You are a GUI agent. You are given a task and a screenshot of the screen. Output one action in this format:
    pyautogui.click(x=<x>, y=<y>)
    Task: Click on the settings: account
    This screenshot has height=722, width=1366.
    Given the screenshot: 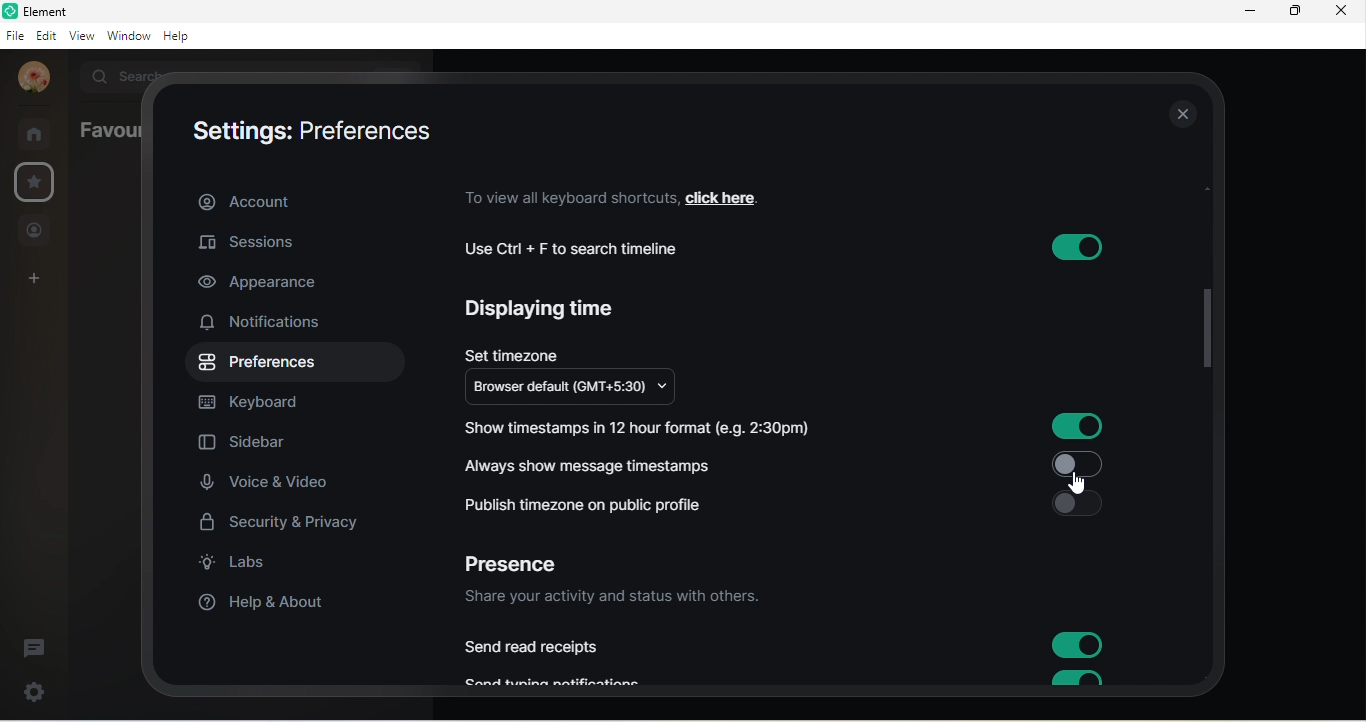 What is the action you would take?
    pyautogui.click(x=302, y=130)
    